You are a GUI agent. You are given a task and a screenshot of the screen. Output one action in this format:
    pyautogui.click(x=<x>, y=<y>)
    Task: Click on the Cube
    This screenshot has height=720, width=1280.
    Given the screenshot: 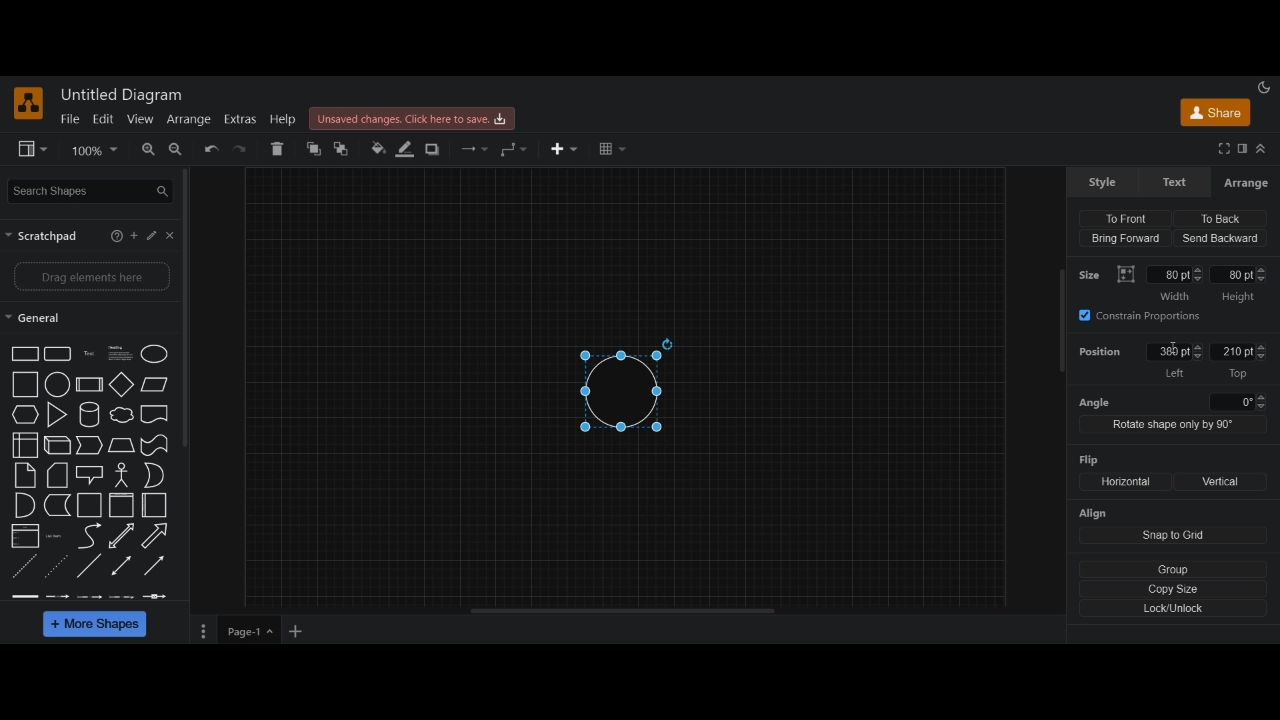 What is the action you would take?
    pyautogui.click(x=58, y=446)
    